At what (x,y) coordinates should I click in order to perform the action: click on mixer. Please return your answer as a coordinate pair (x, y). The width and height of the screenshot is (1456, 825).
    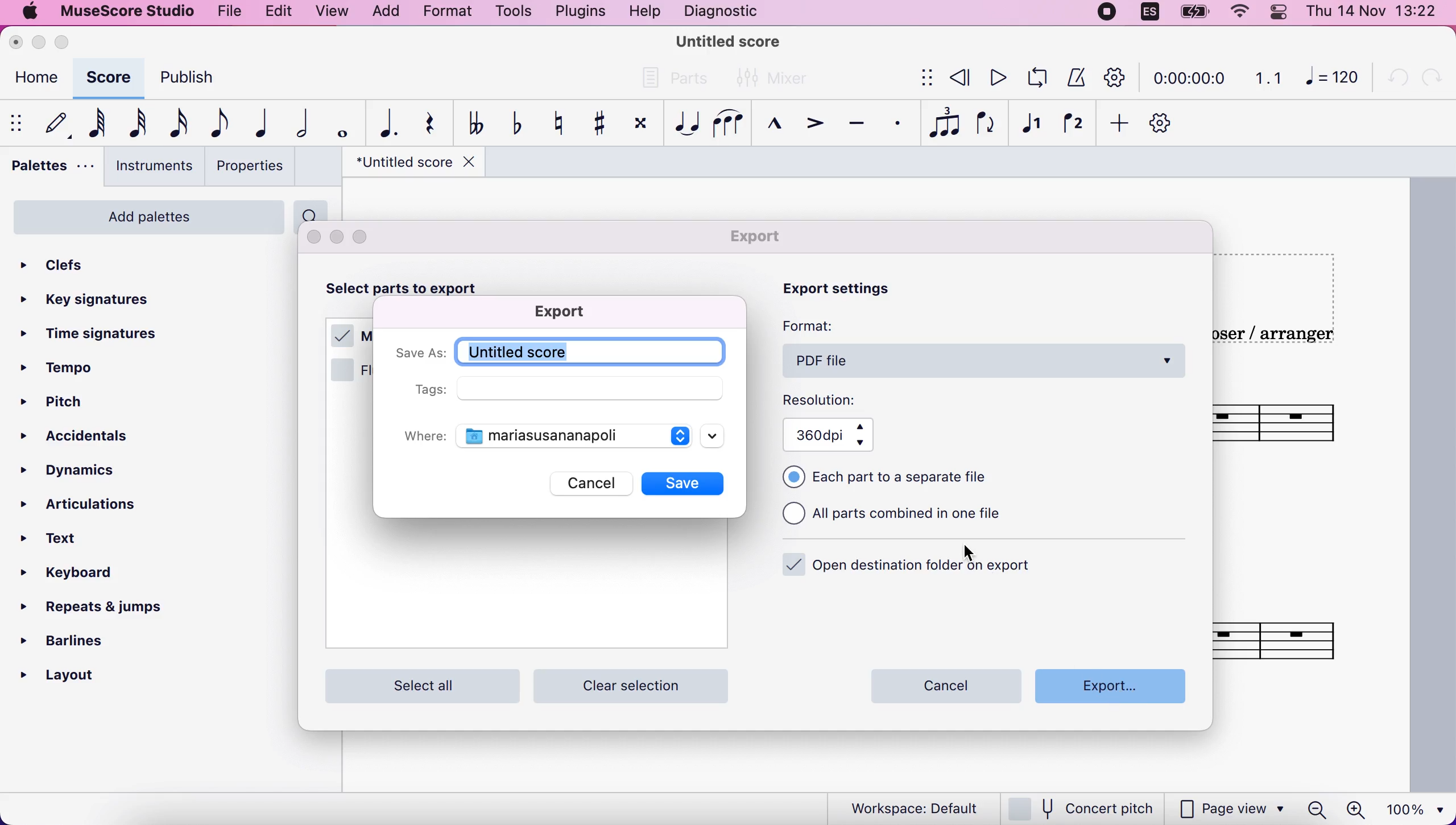
    Looking at the image, I should click on (778, 77).